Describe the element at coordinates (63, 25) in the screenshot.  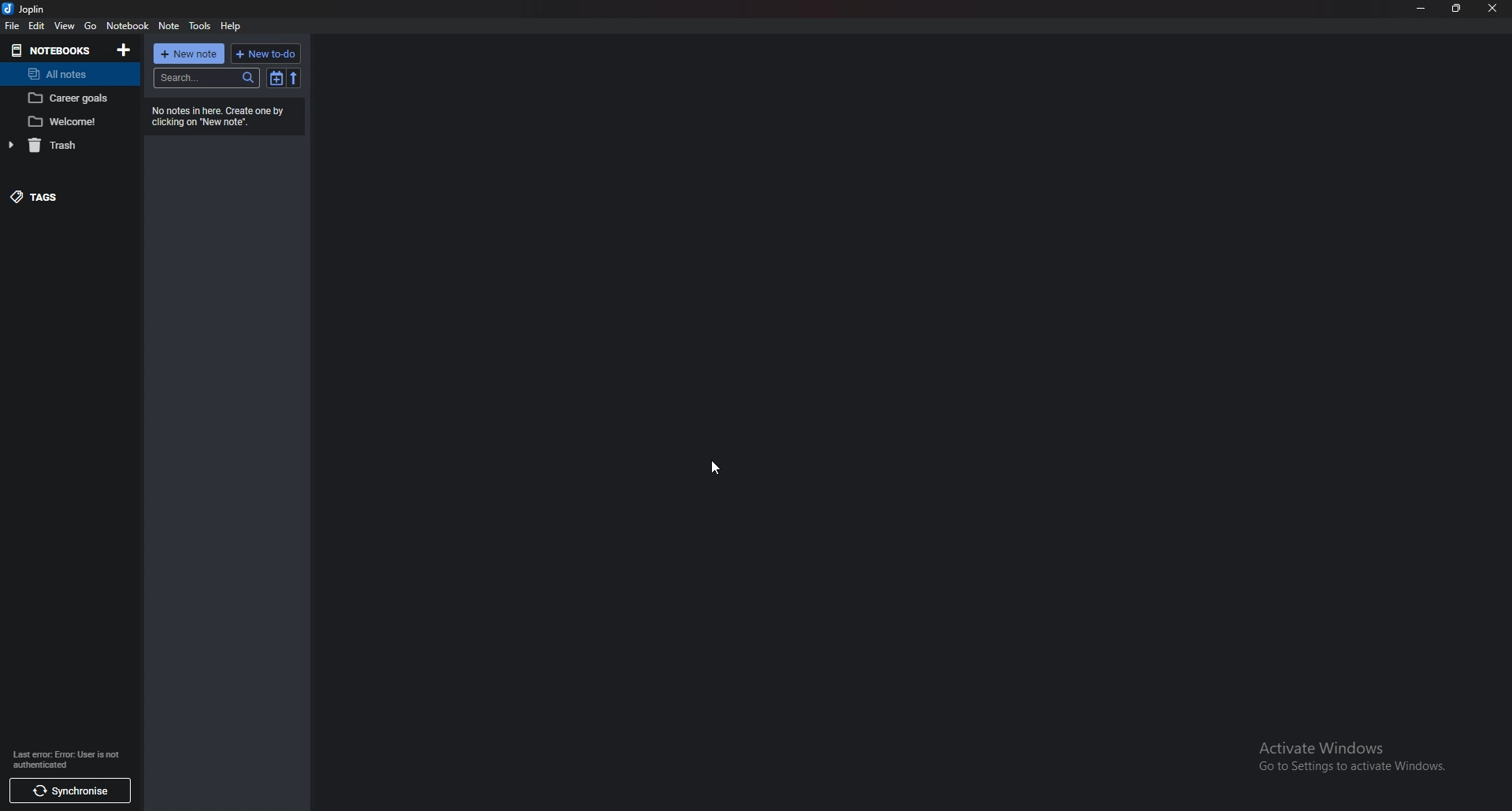
I see `view` at that location.